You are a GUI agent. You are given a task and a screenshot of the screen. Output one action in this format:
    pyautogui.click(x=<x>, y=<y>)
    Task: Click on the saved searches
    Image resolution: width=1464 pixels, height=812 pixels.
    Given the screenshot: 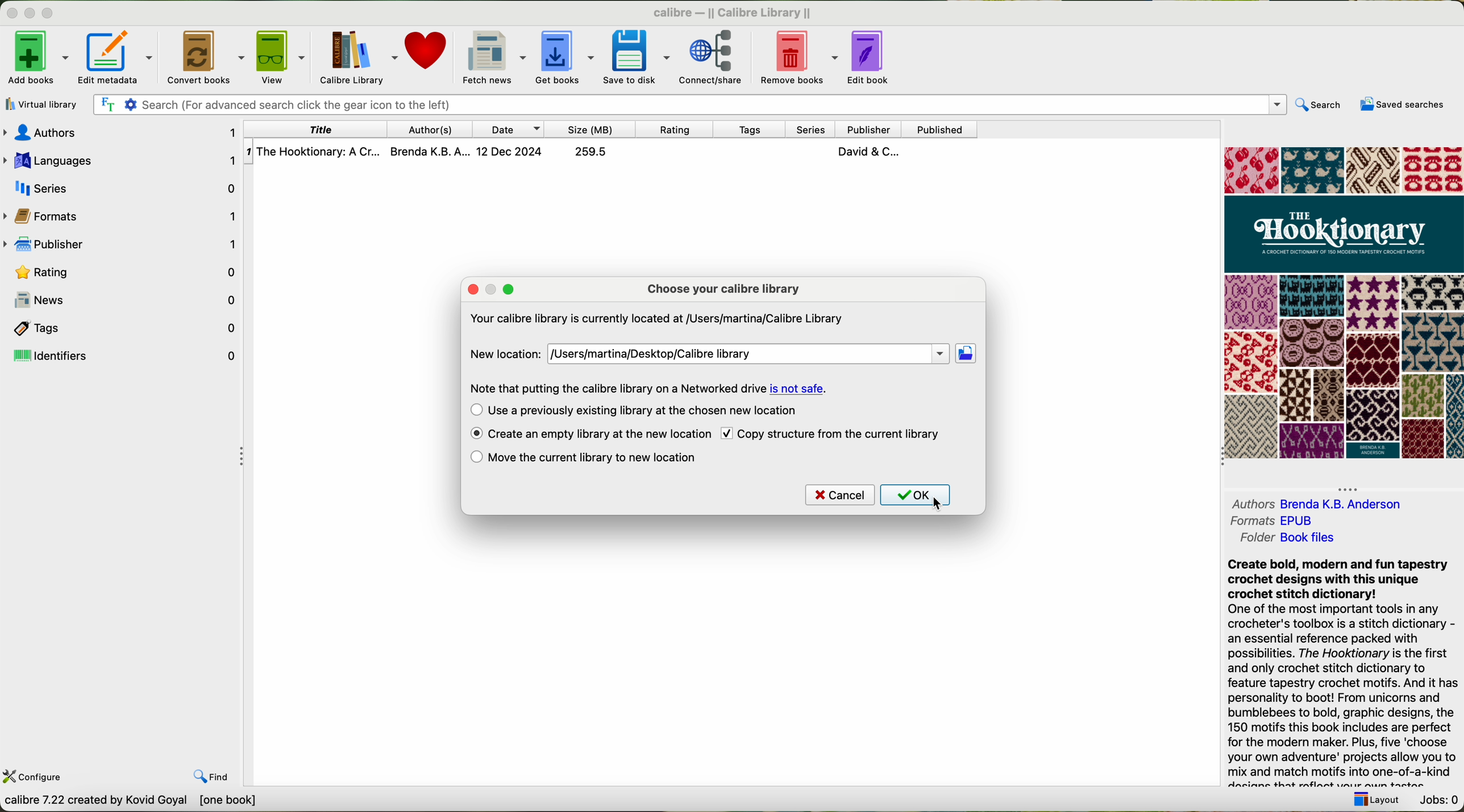 What is the action you would take?
    pyautogui.click(x=1401, y=105)
    